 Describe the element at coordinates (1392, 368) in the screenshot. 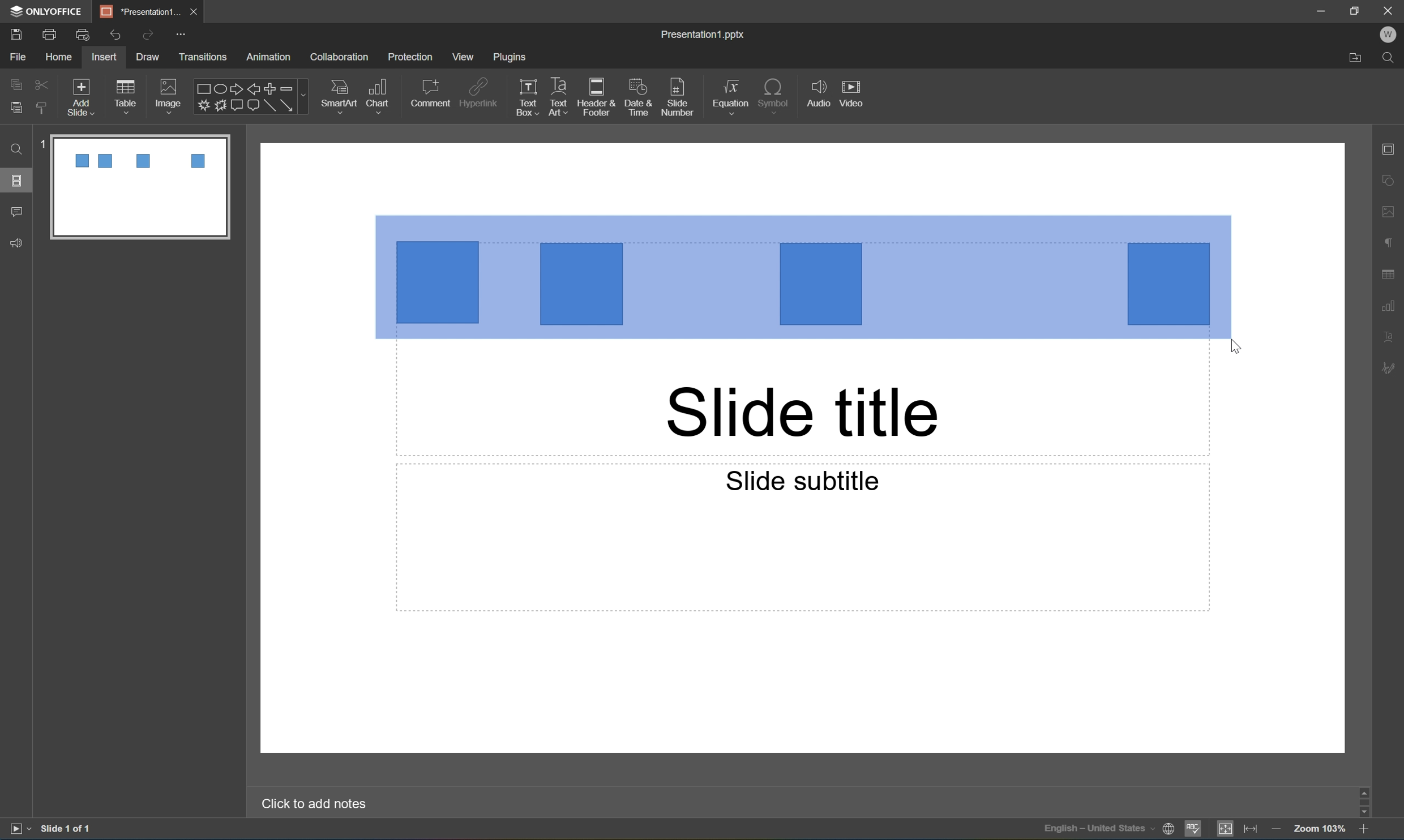

I see `signature settings` at that location.